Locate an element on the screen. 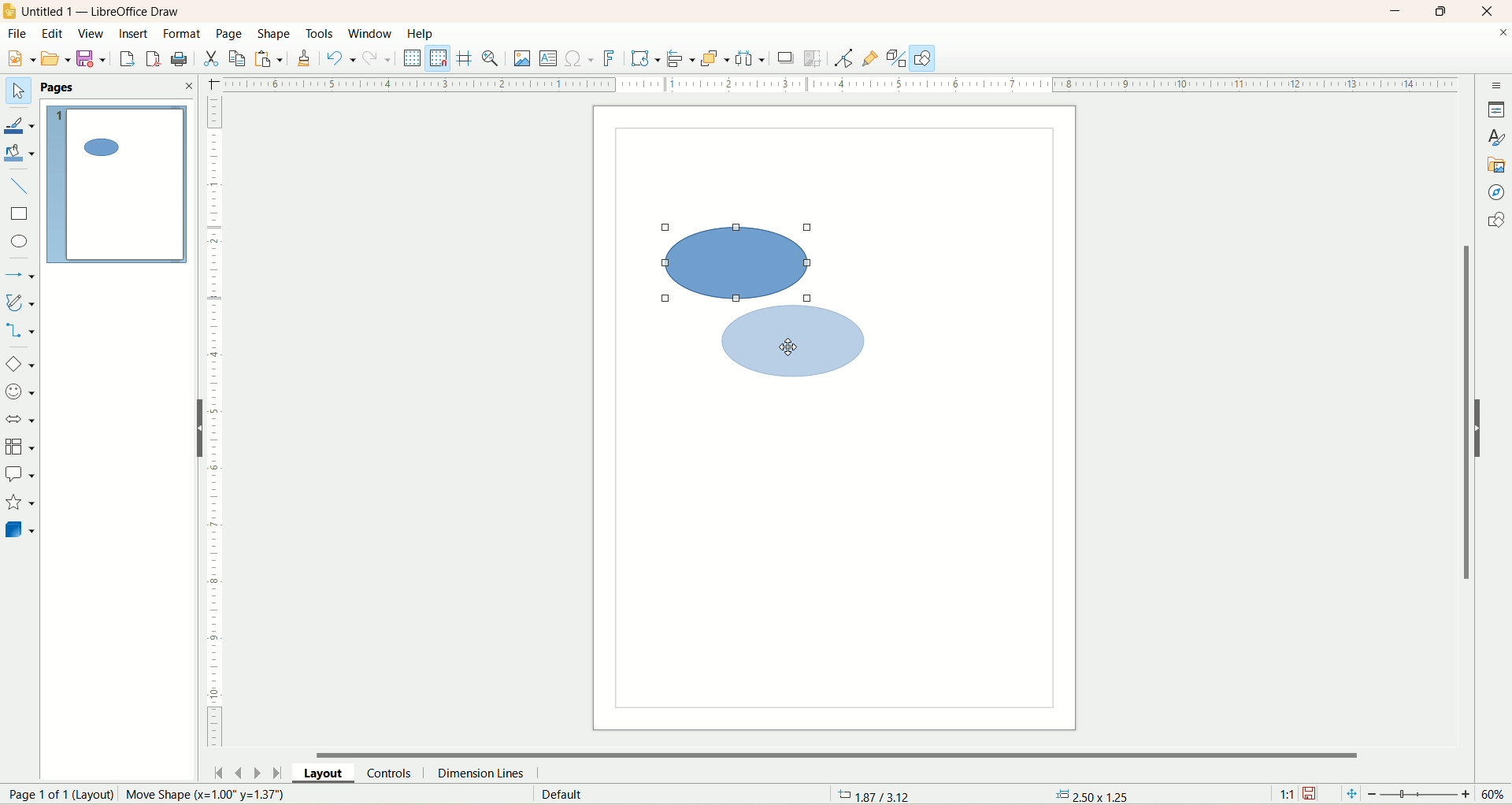 The height and width of the screenshot is (805, 1512). hide is located at coordinates (1482, 427).